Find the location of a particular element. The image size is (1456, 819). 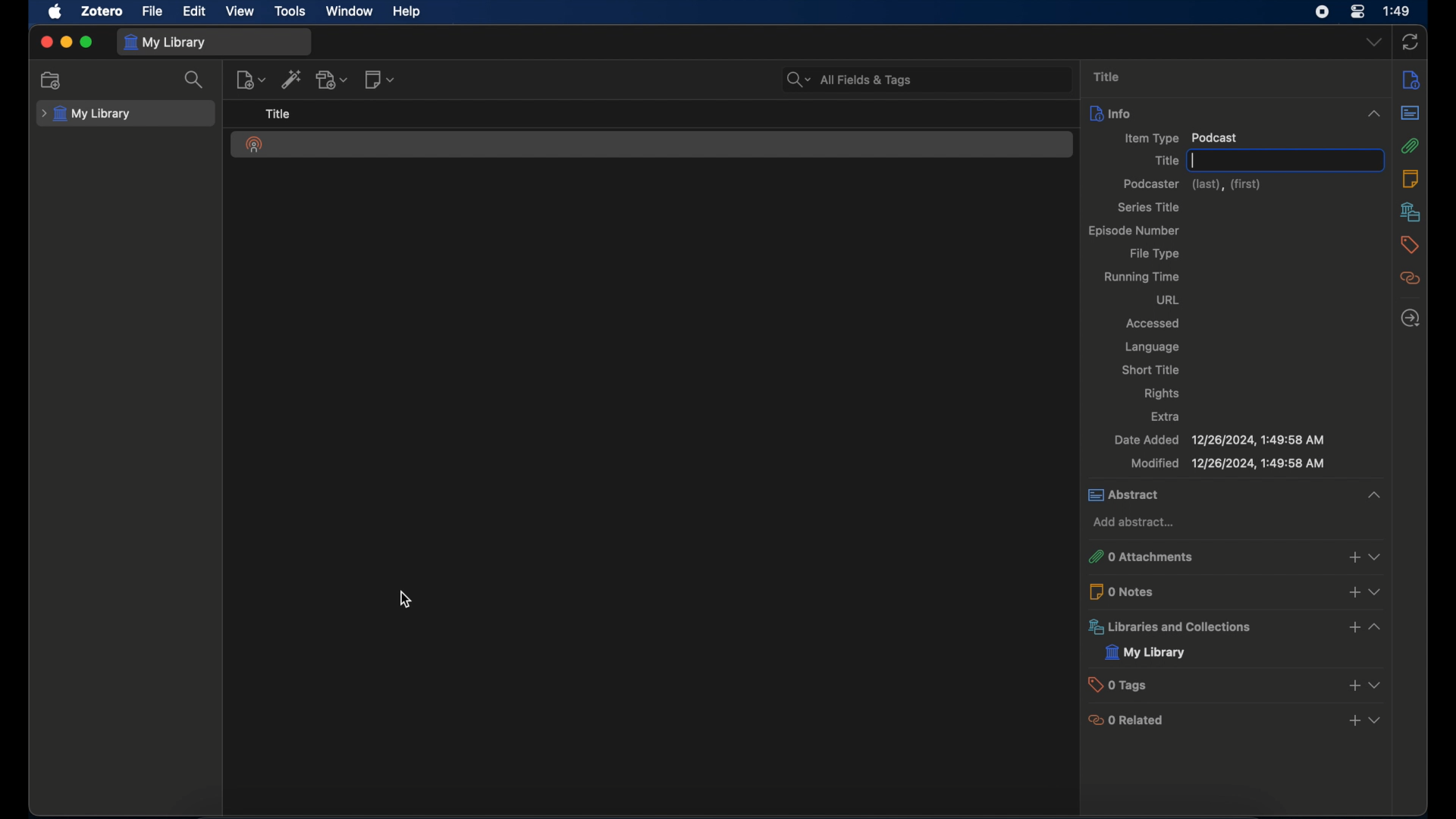

cursor is located at coordinates (405, 599).